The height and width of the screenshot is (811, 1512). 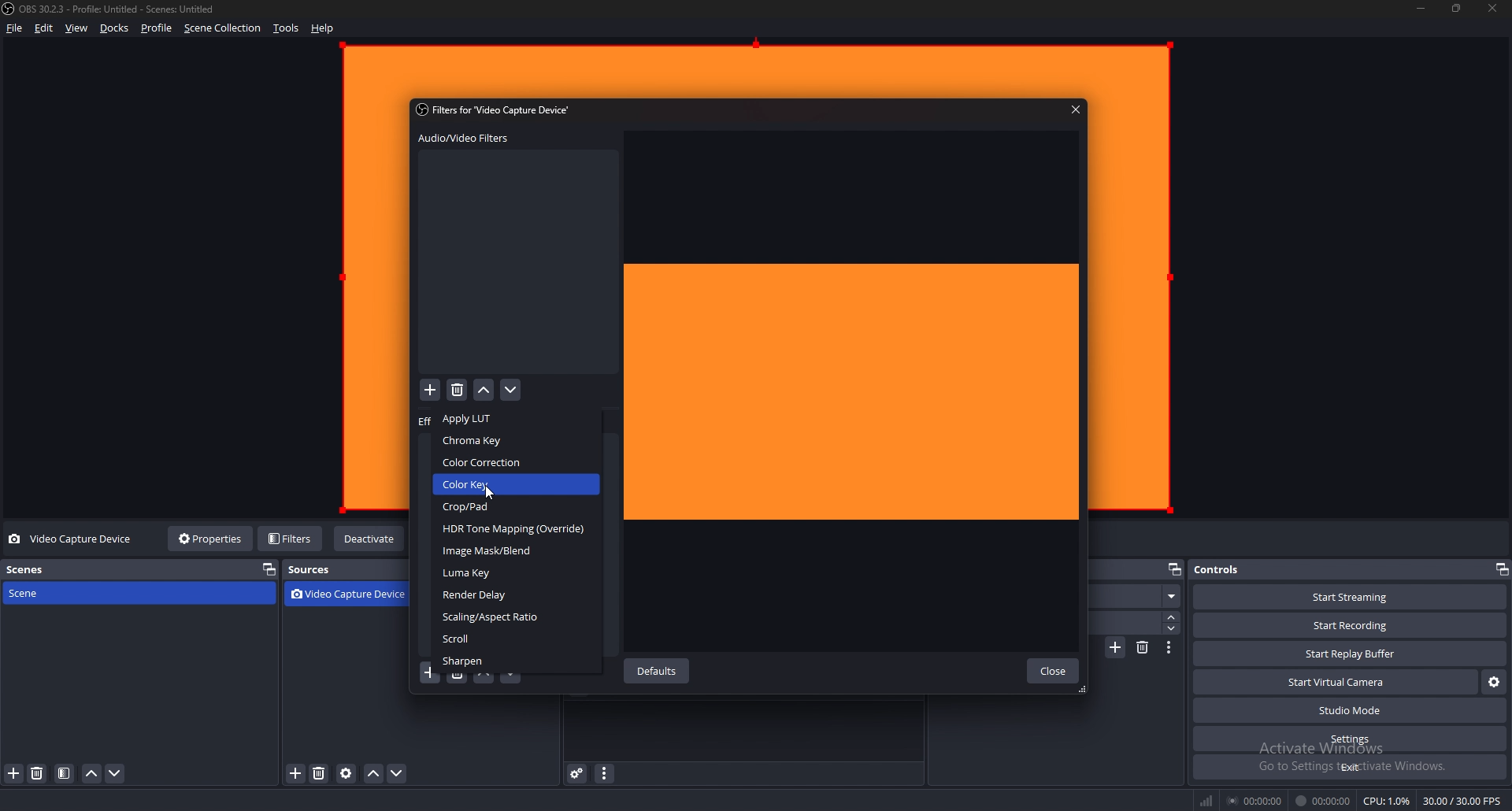 I want to click on add transition, so click(x=1117, y=647).